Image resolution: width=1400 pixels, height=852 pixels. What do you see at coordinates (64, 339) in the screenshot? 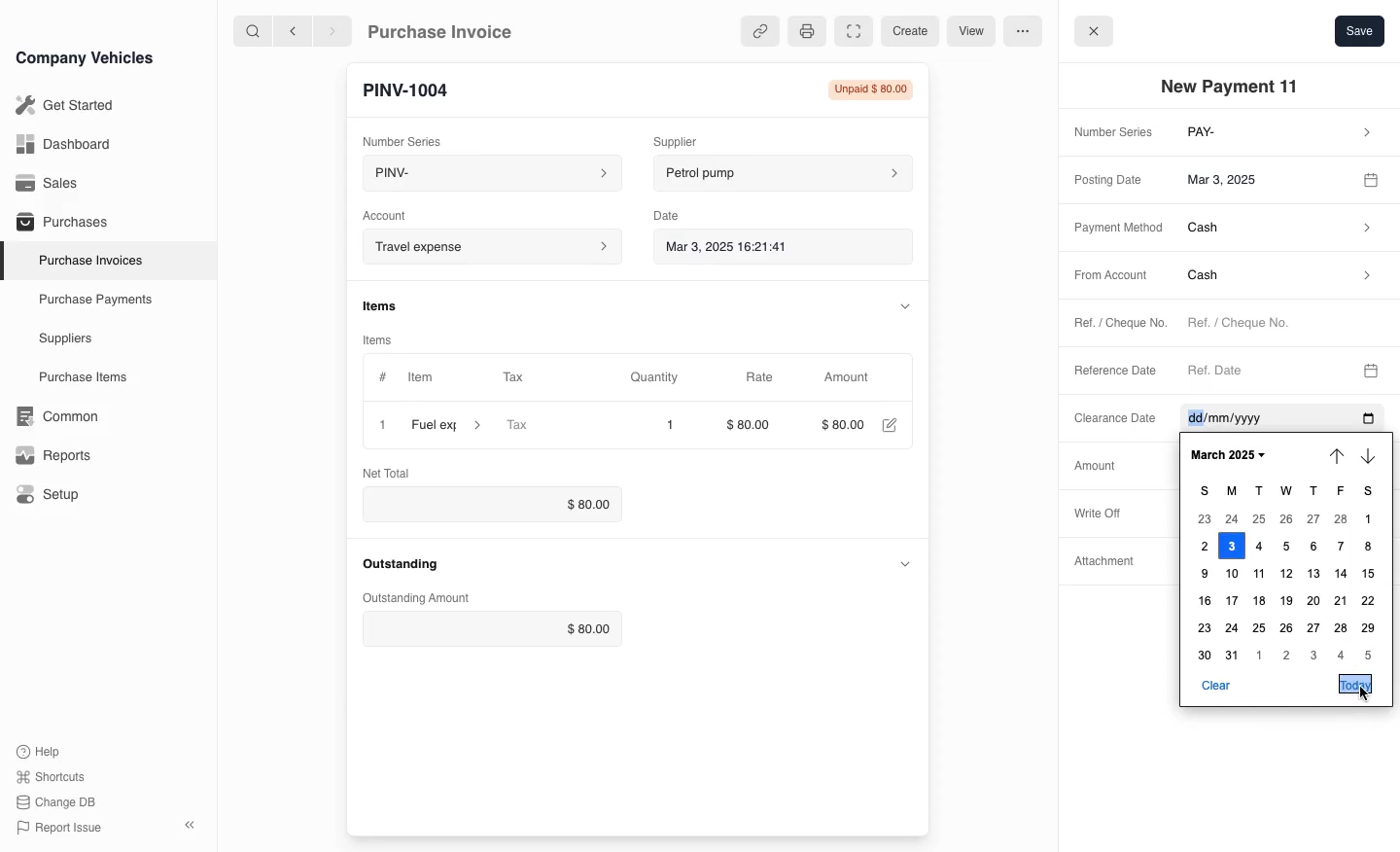
I see `Suppliers` at bounding box center [64, 339].